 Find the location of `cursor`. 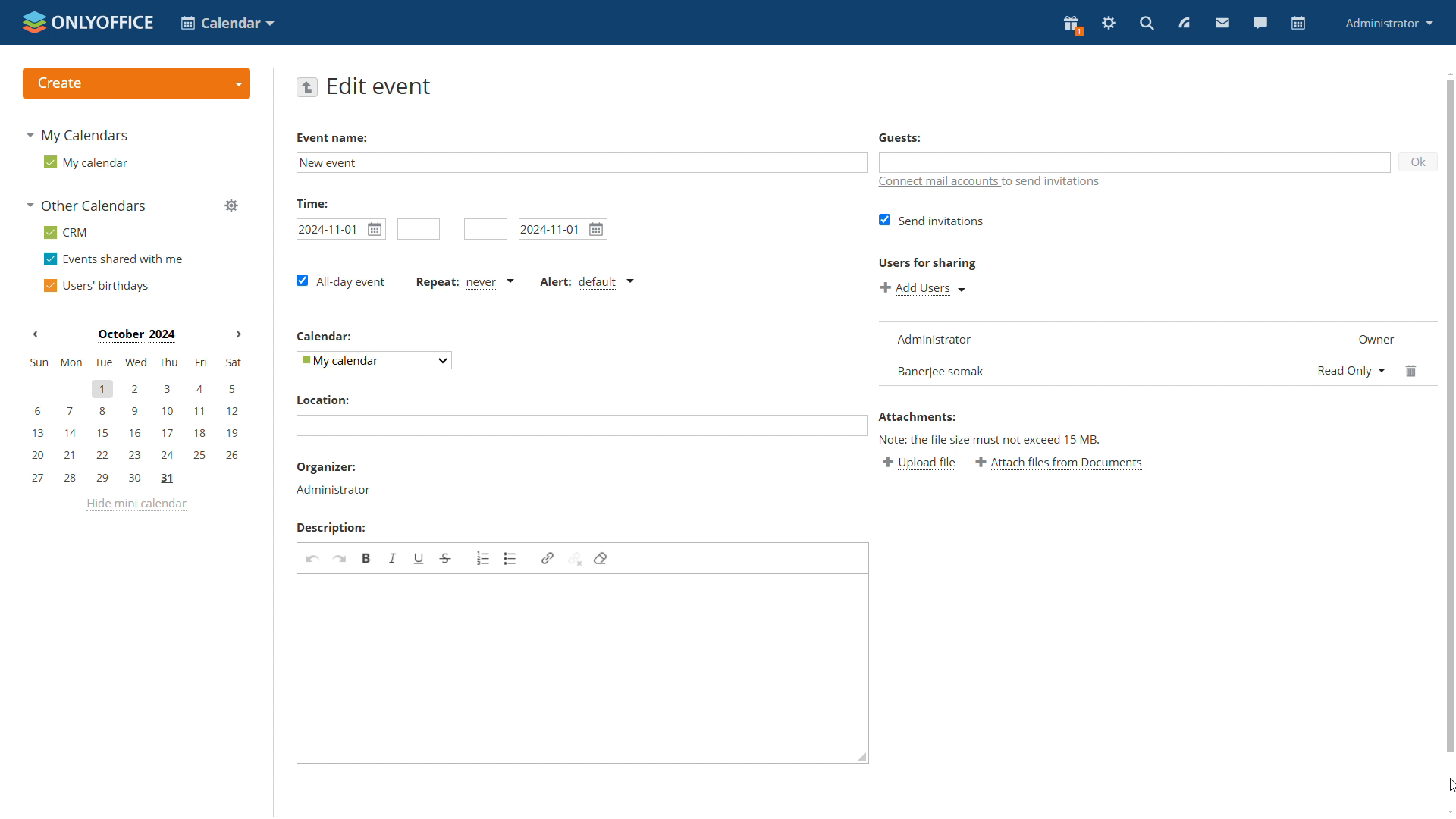

cursor is located at coordinates (1447, 785).